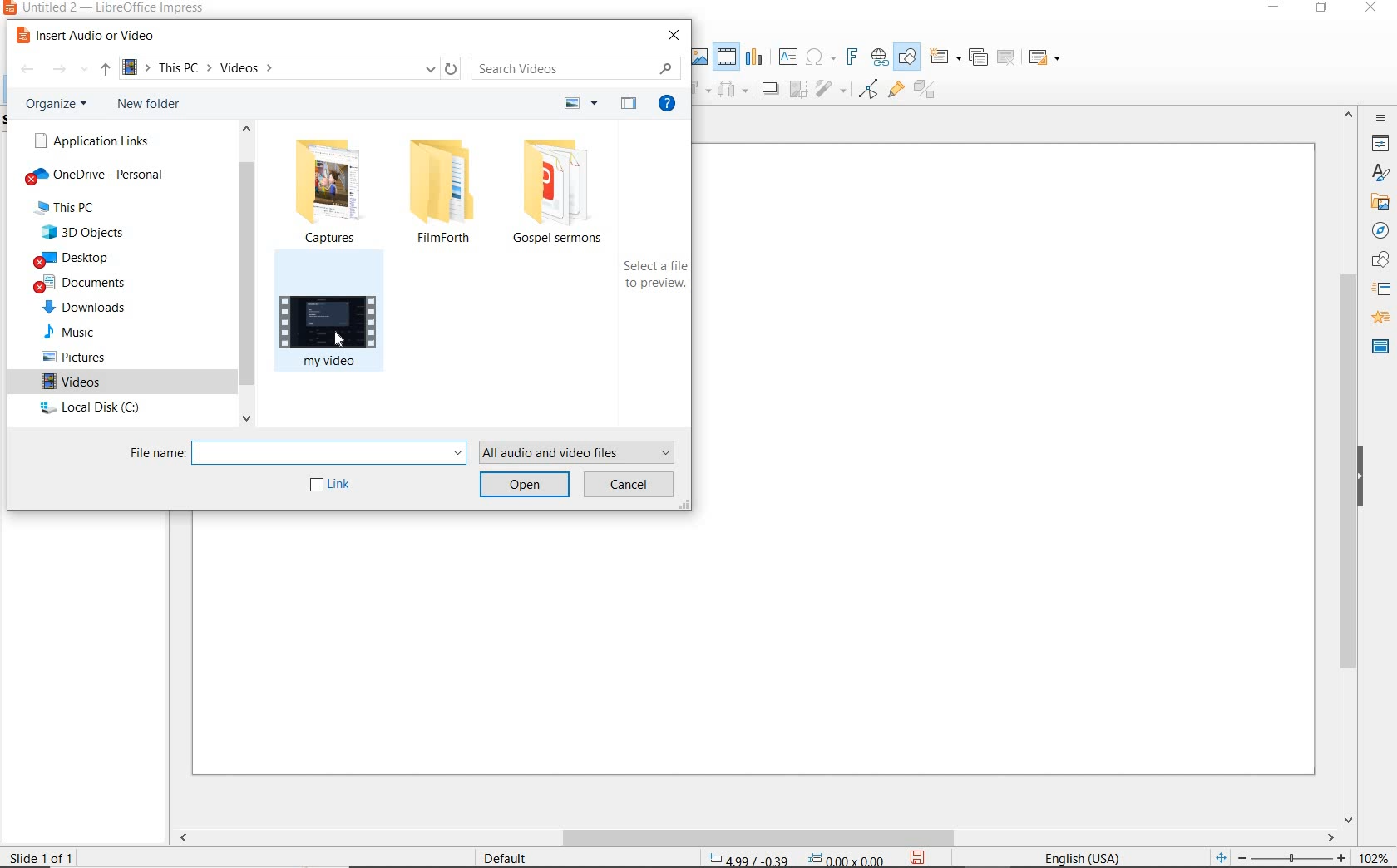 The width and height of the screenshot is (1397, 868). I want to click on INSERT FRONTWORK TEXT, so click(851, 56).